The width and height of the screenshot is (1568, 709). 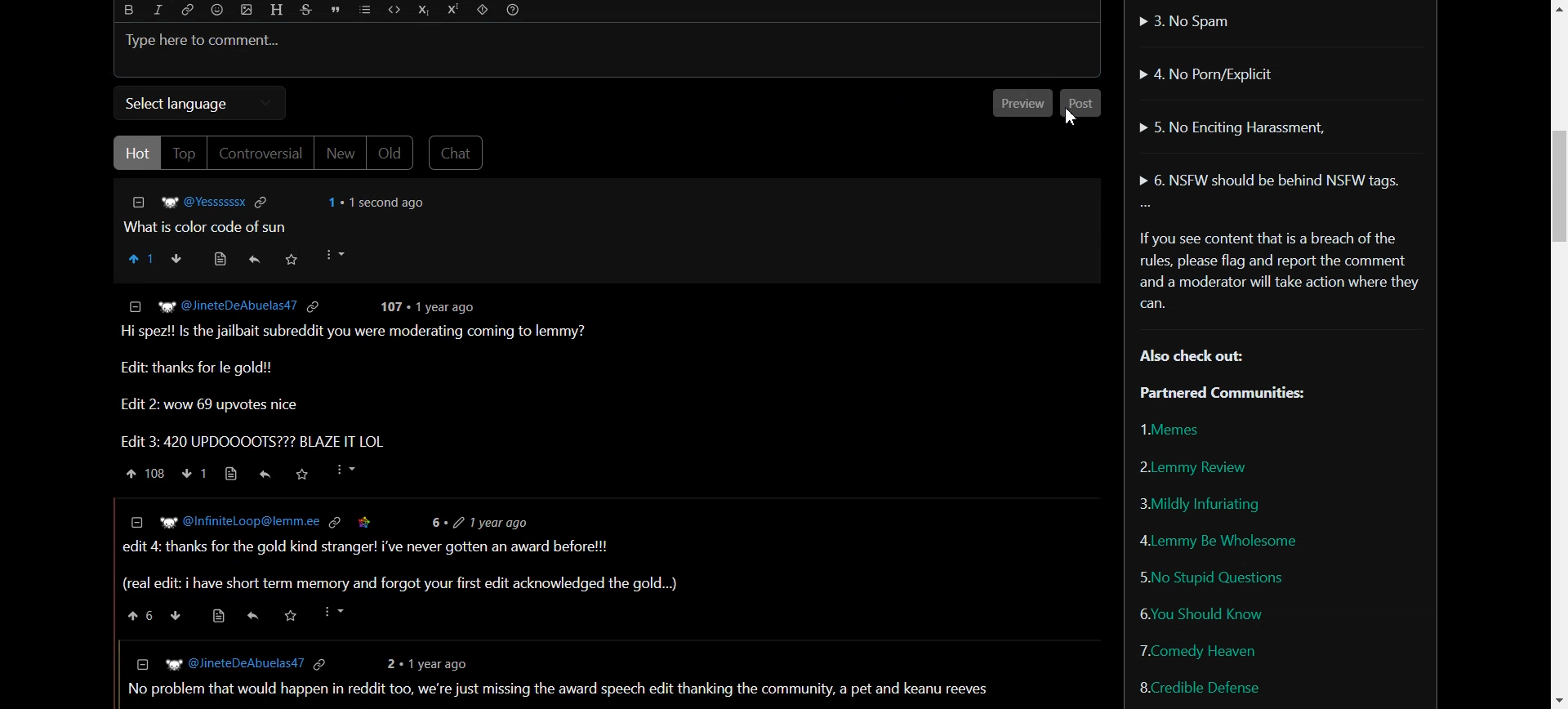 I want to click on Subscript, so click(x=423, y=10).